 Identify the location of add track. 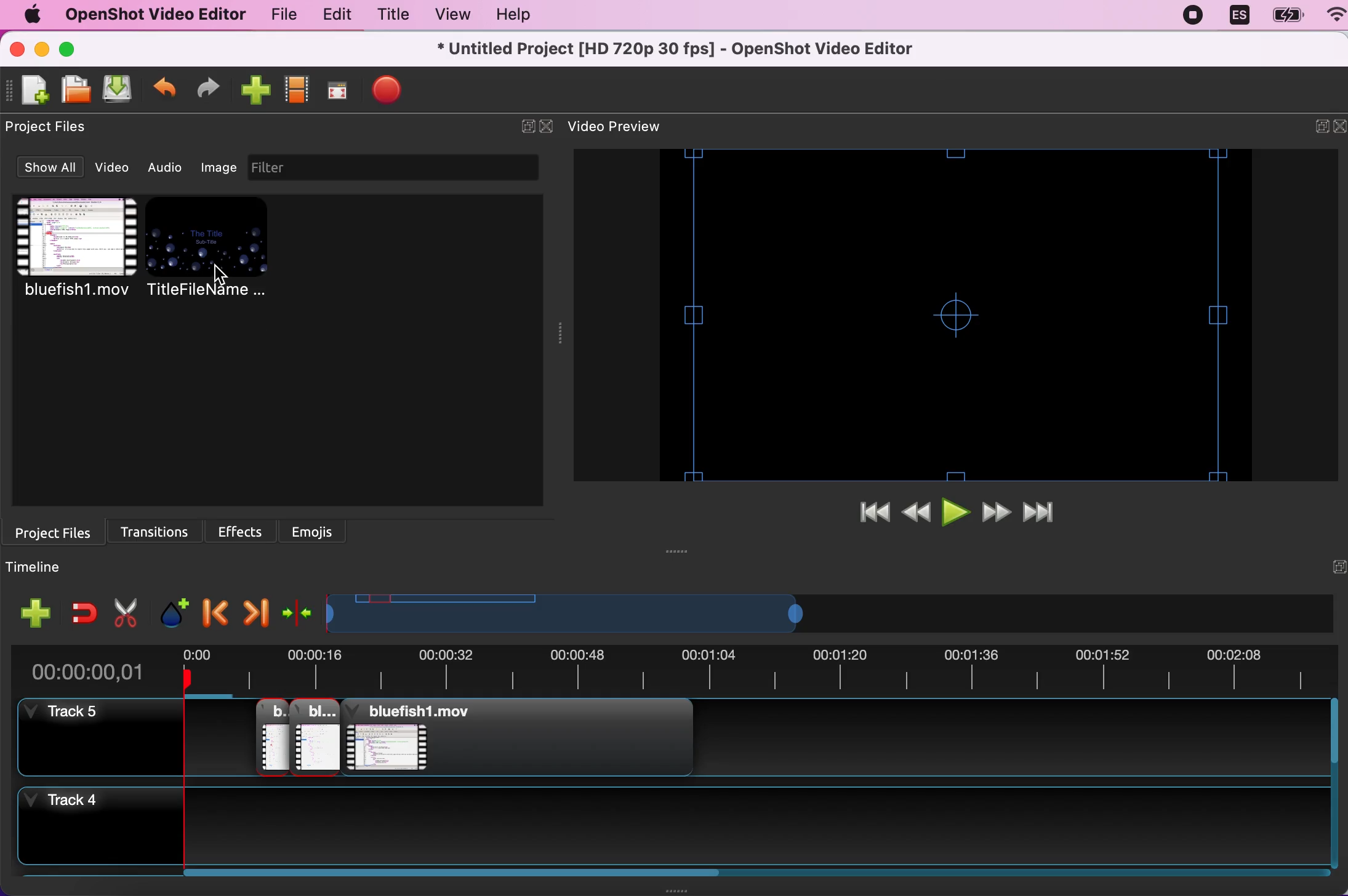
(37, 613).